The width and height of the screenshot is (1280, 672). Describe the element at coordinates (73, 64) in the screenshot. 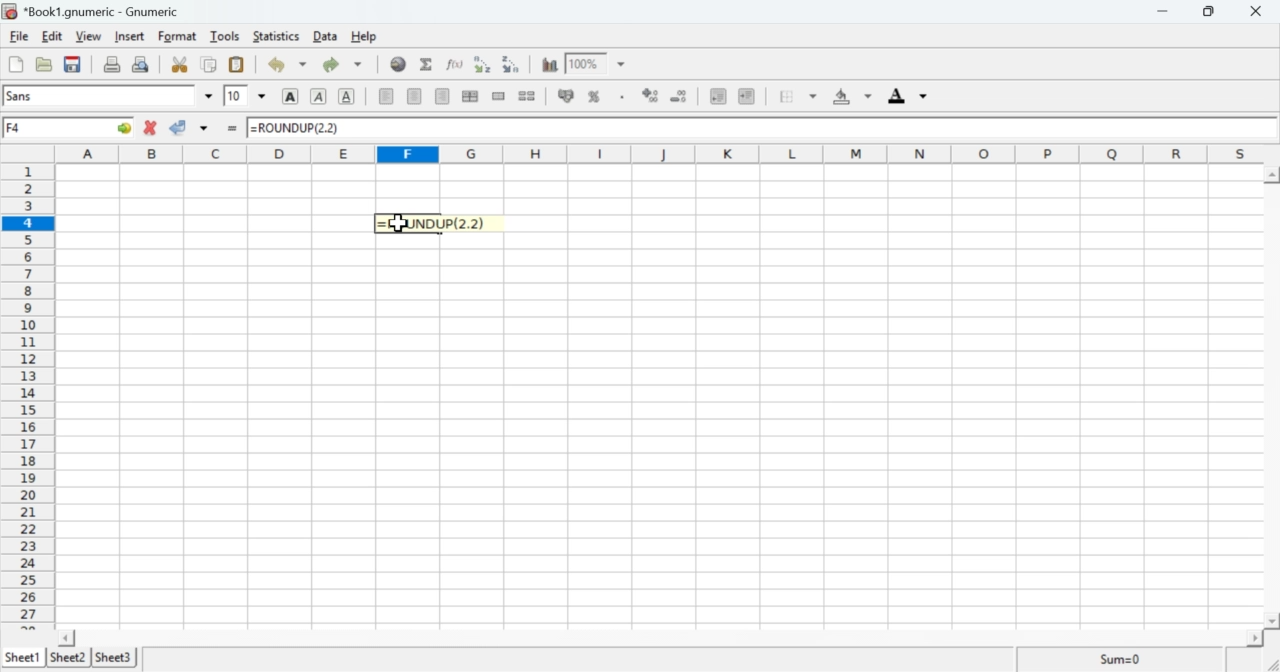

I see `Save` at that location.